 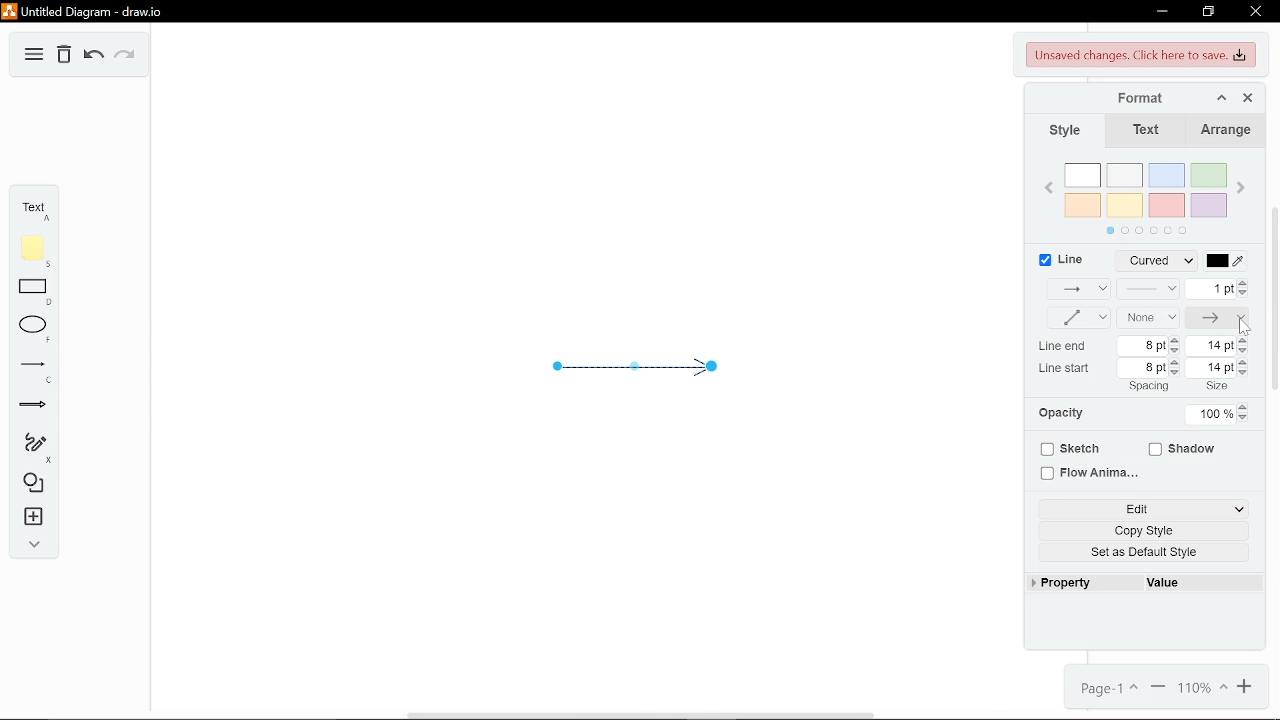 What do you see at coordinates (1245, 350) in the screenshot?
I see `Decrease line end size` at bounding box center [1245, 350].